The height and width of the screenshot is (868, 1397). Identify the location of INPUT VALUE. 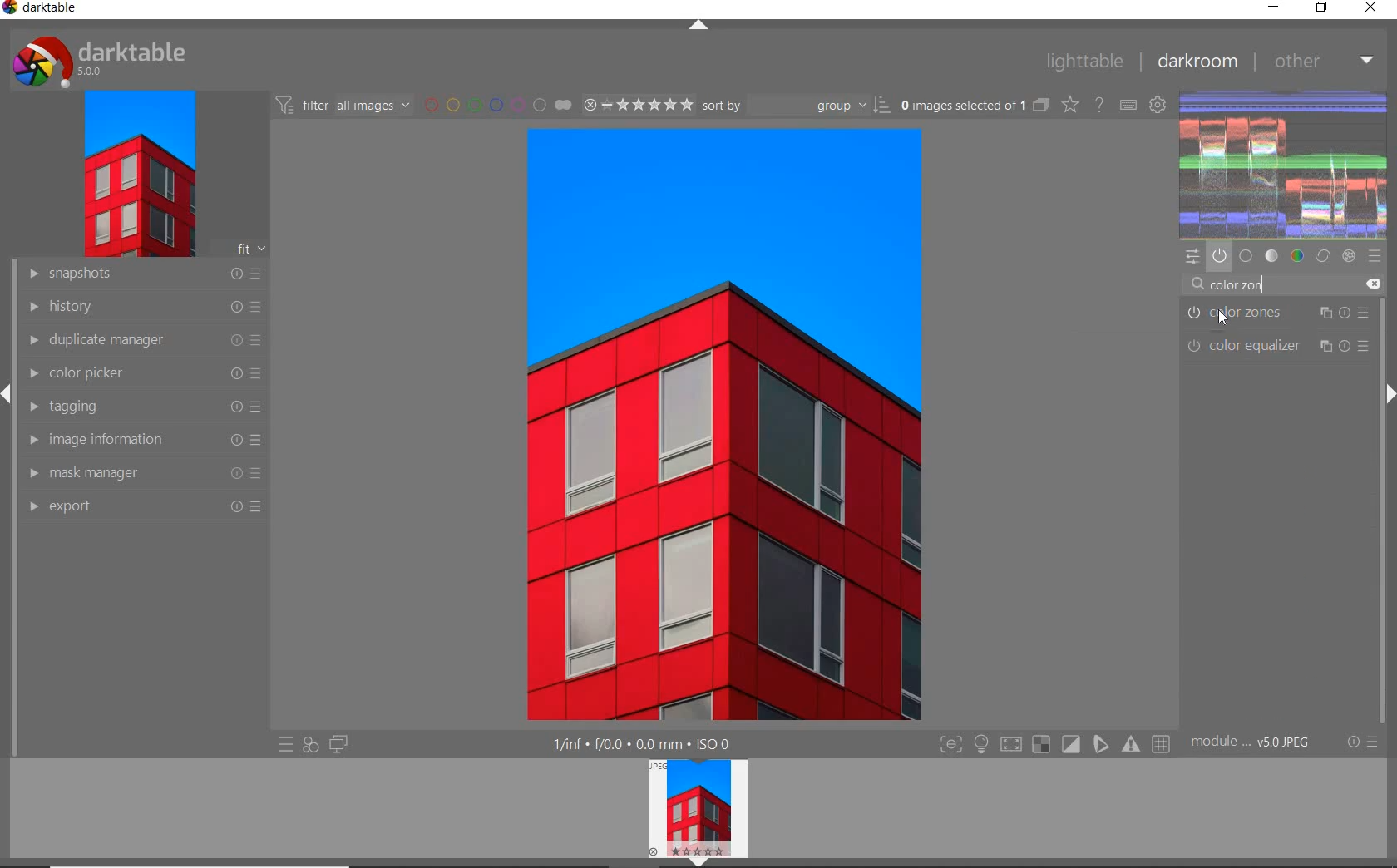
(1230, 284).